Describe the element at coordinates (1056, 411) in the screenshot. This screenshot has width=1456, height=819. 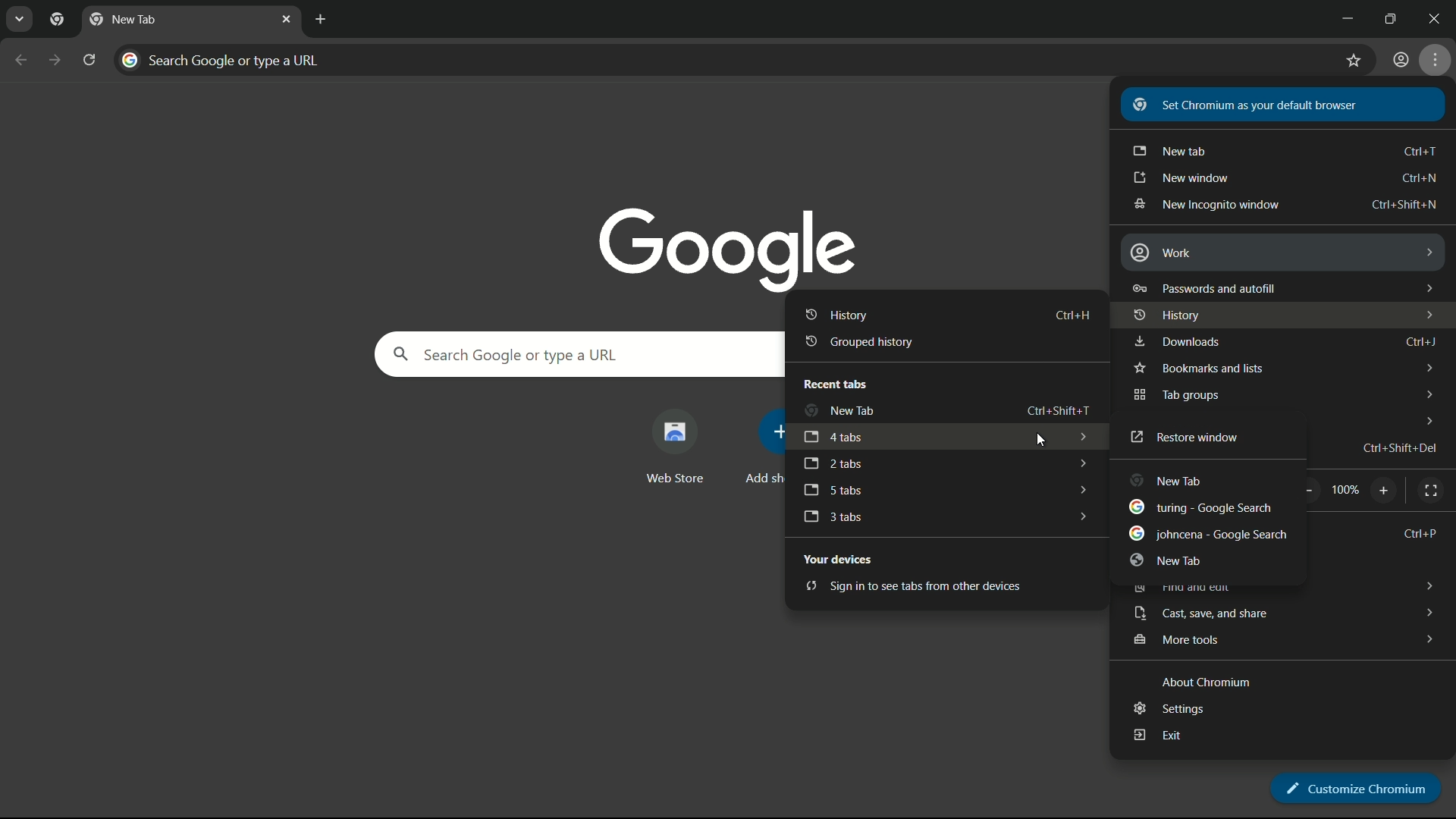
I see `shortcut key` at that location.